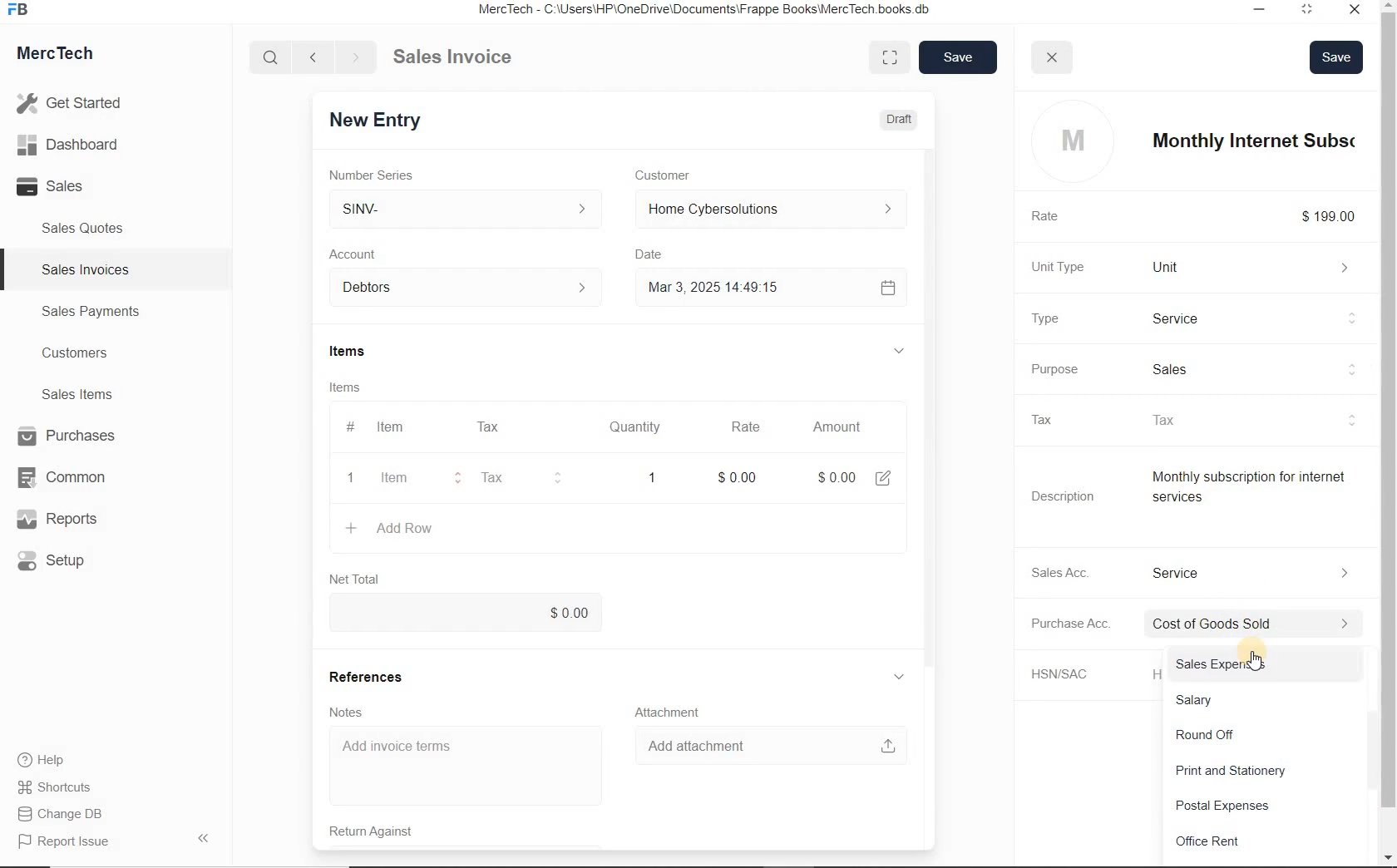  I want to click on Travel Expenses, so click(1268, 808).